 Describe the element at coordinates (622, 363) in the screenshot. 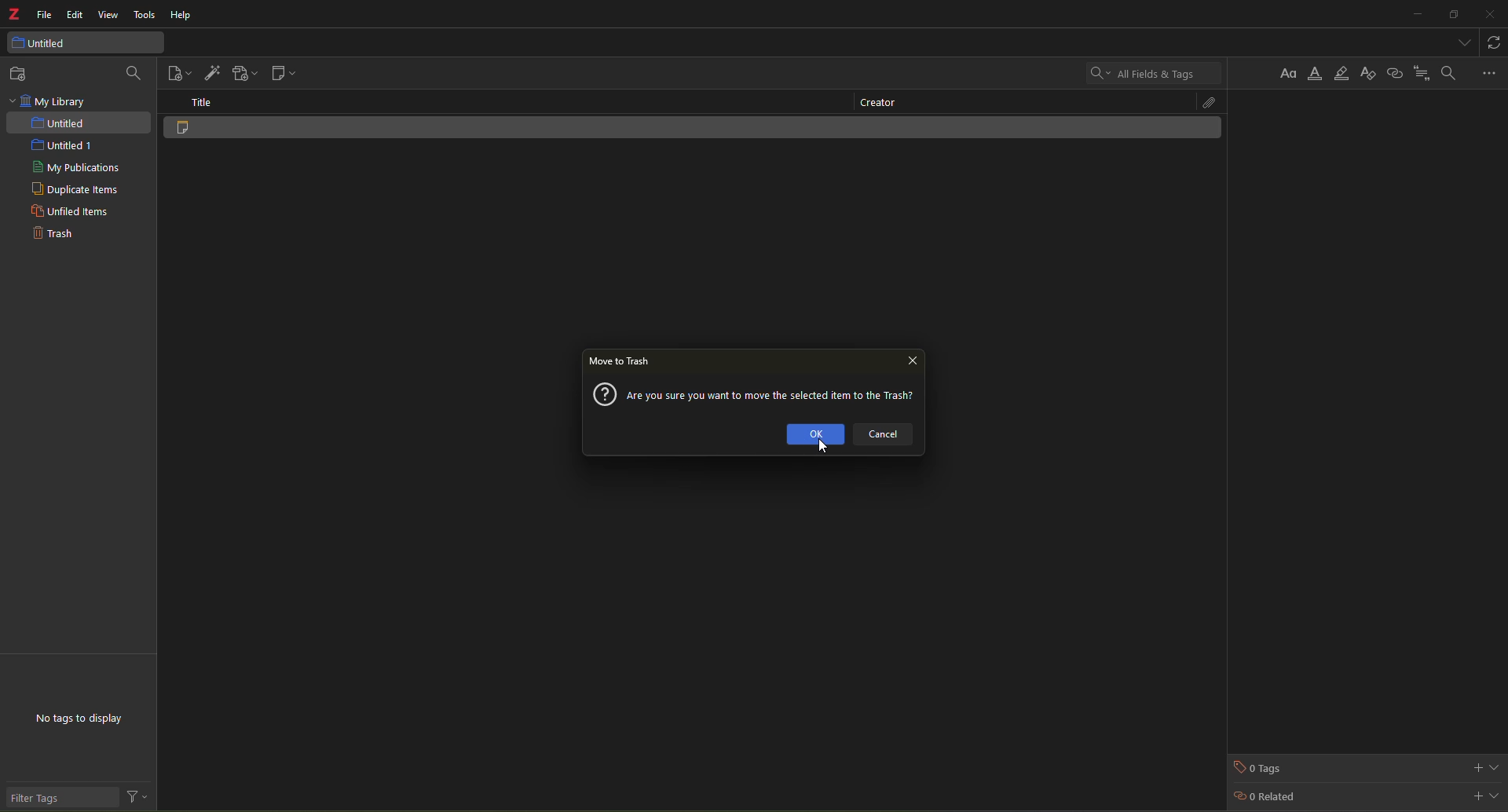

I see `move to trash` at that location.